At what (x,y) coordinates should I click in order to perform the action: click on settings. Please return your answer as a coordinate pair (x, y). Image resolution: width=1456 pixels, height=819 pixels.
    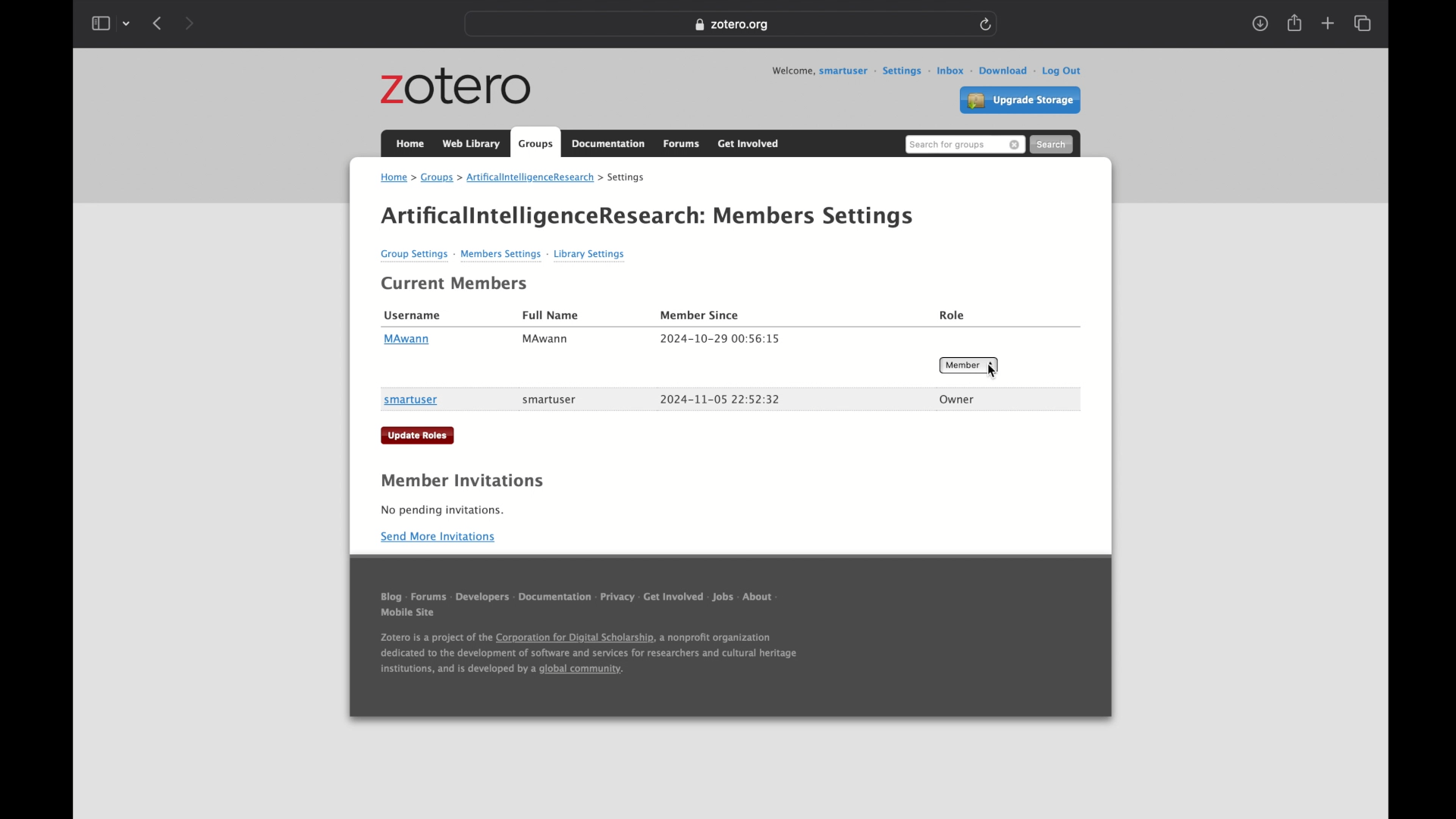
    Looking at the image, I should click on (897, 71).